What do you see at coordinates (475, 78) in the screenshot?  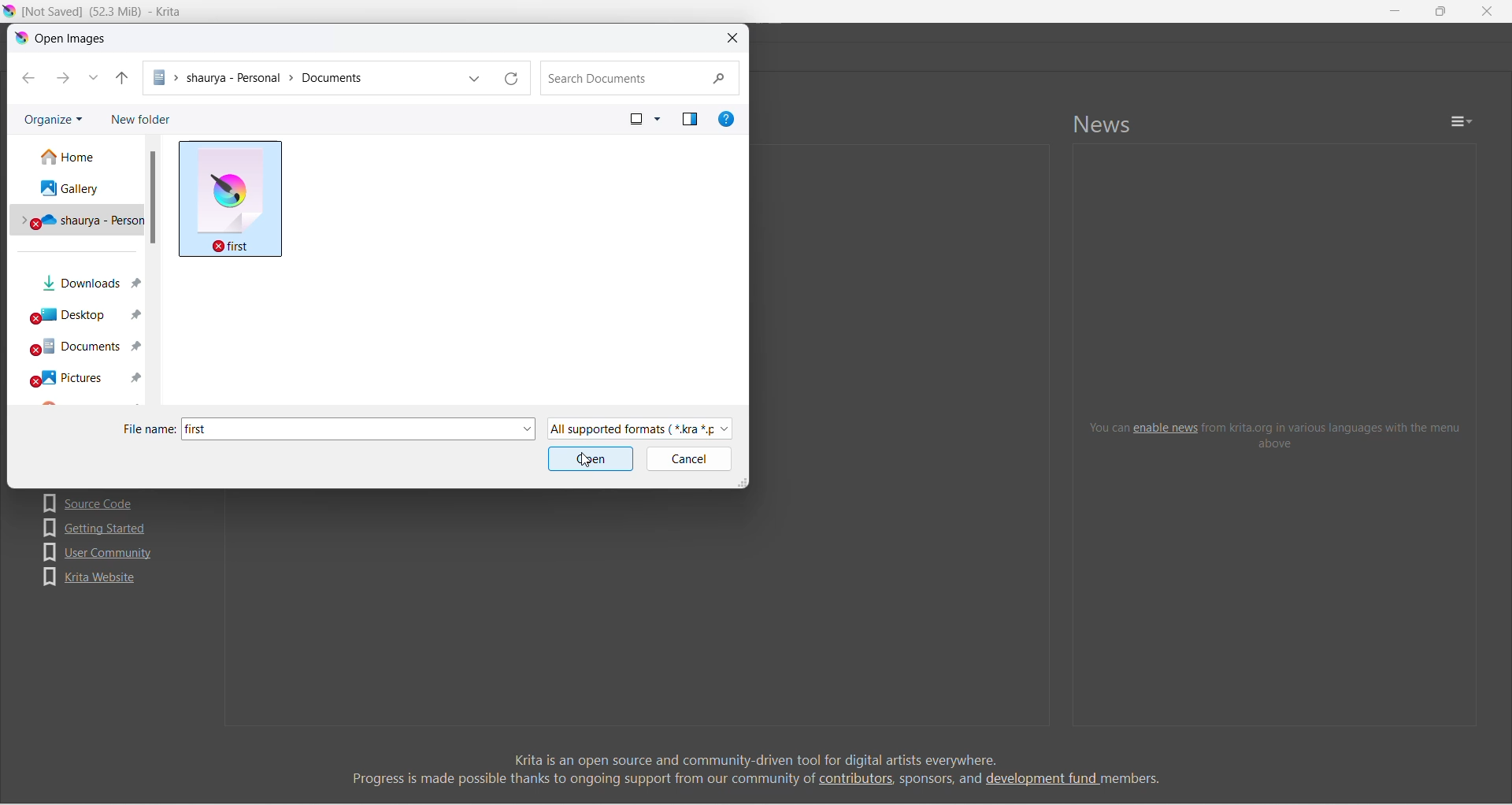 I see `previous location` at bounding box center [475, 78].